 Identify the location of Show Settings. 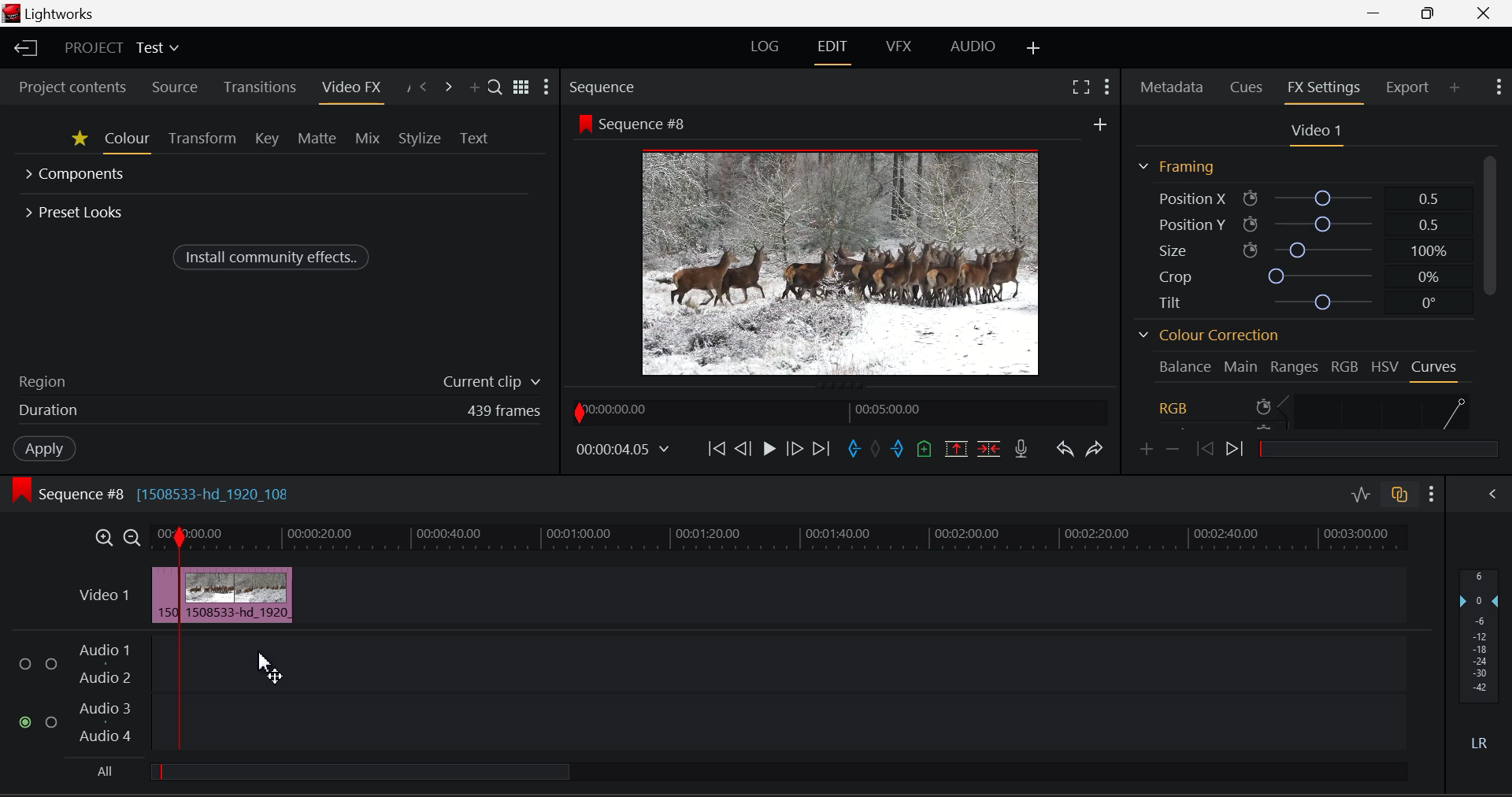
(1498, 89).